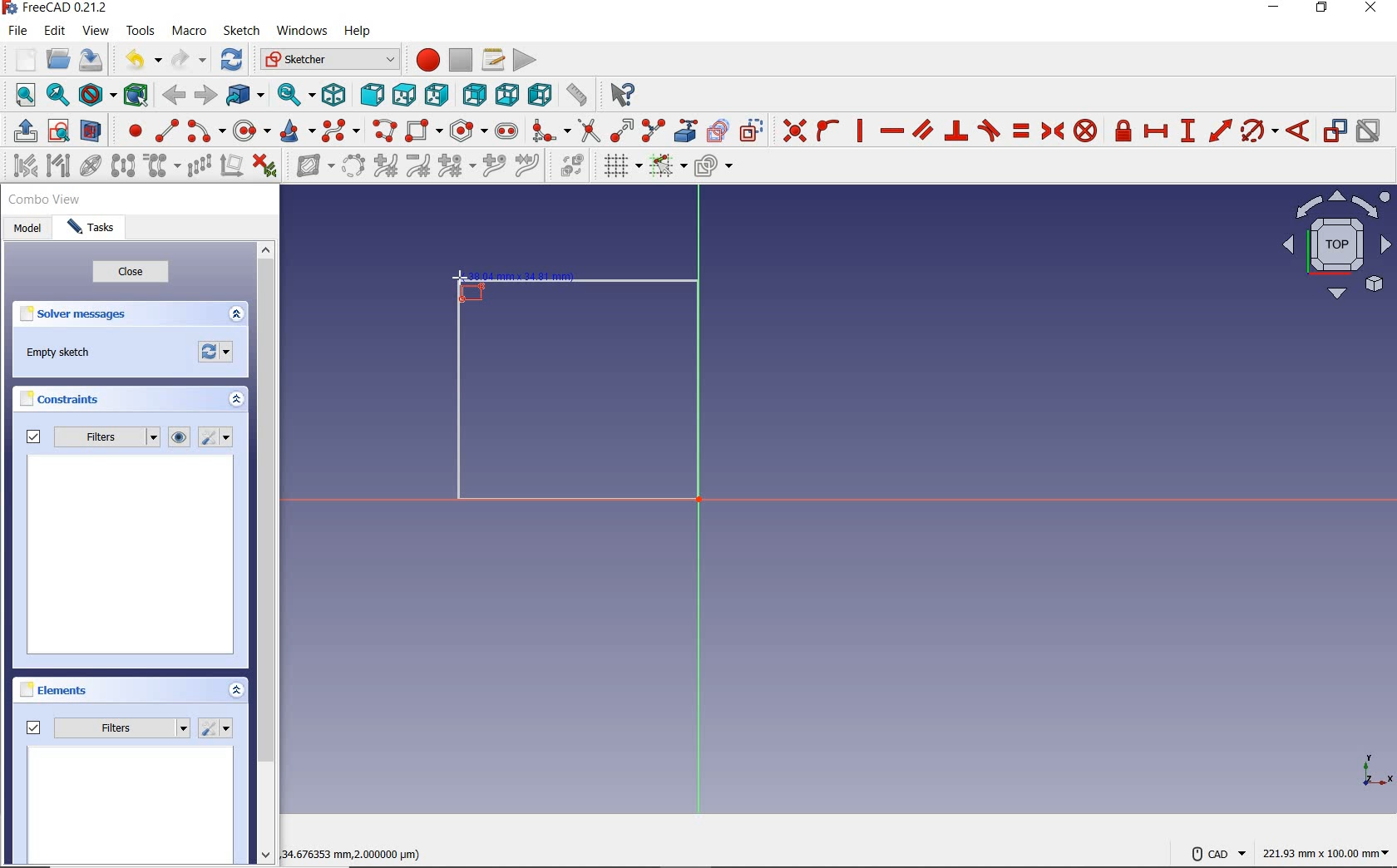 The image size is (1397, 868). What do you see at coordinates (792, 131) in the screenshot?
I see `constrain coincident` at bounding box center [792, 131].